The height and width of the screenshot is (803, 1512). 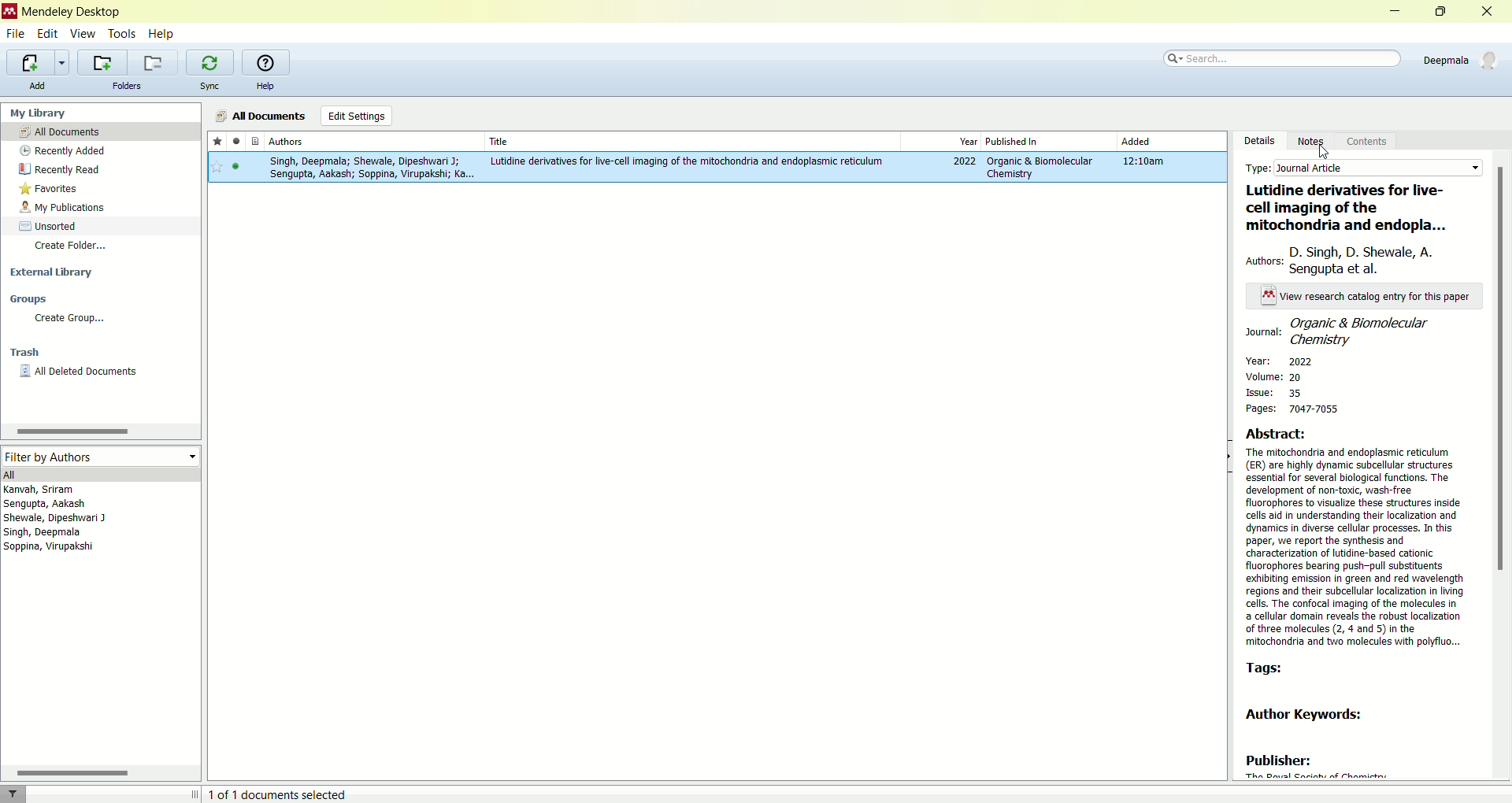 I want to click on Aurhors: D. Singh, D. Shewale, A.Sengupta et al., so click(x=1354, y=261).